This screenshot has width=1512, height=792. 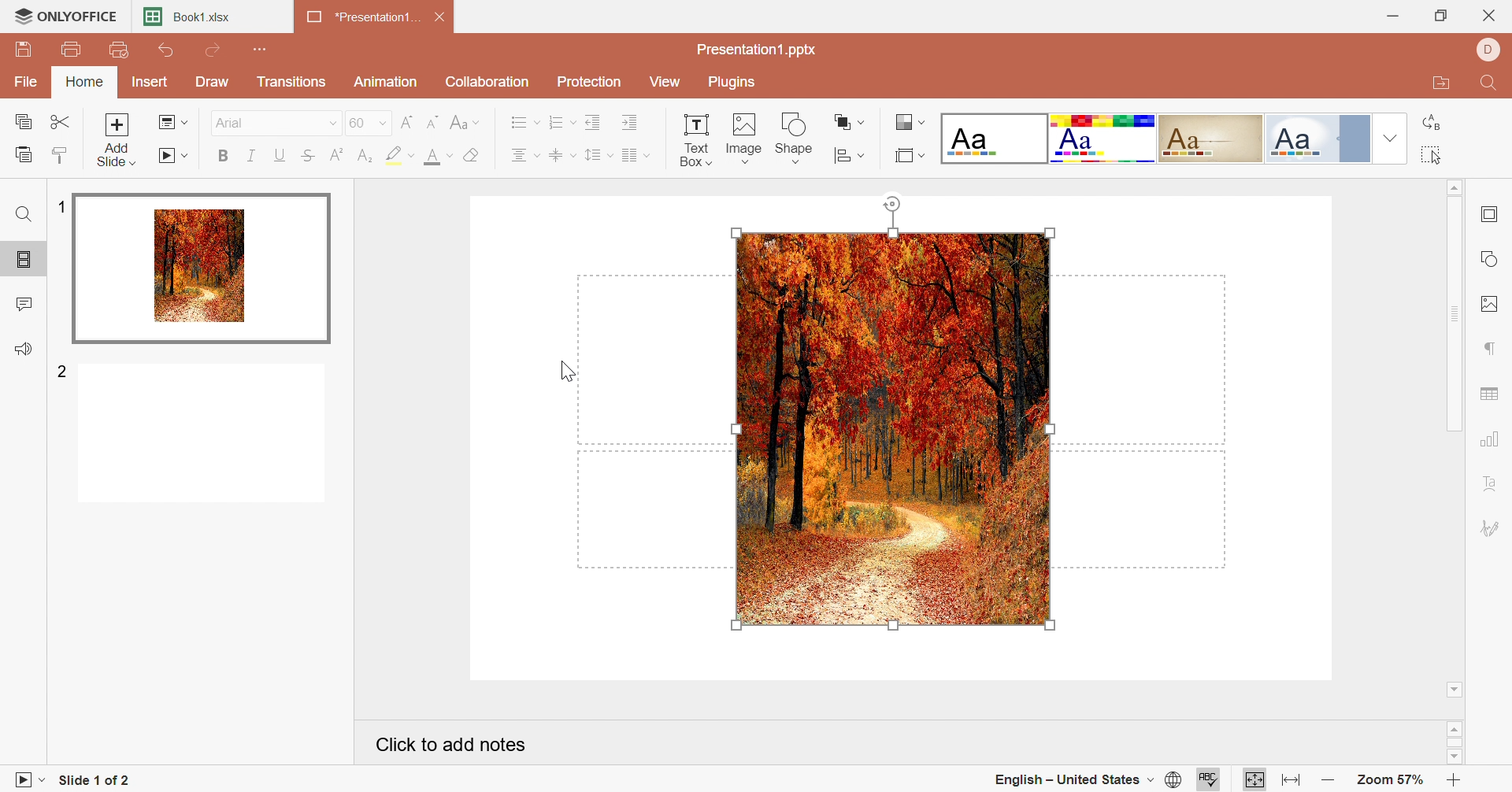 What do you see at coordinates (86, 83) in the screenshot?
I see `Home` at bounding box center [86, 83].